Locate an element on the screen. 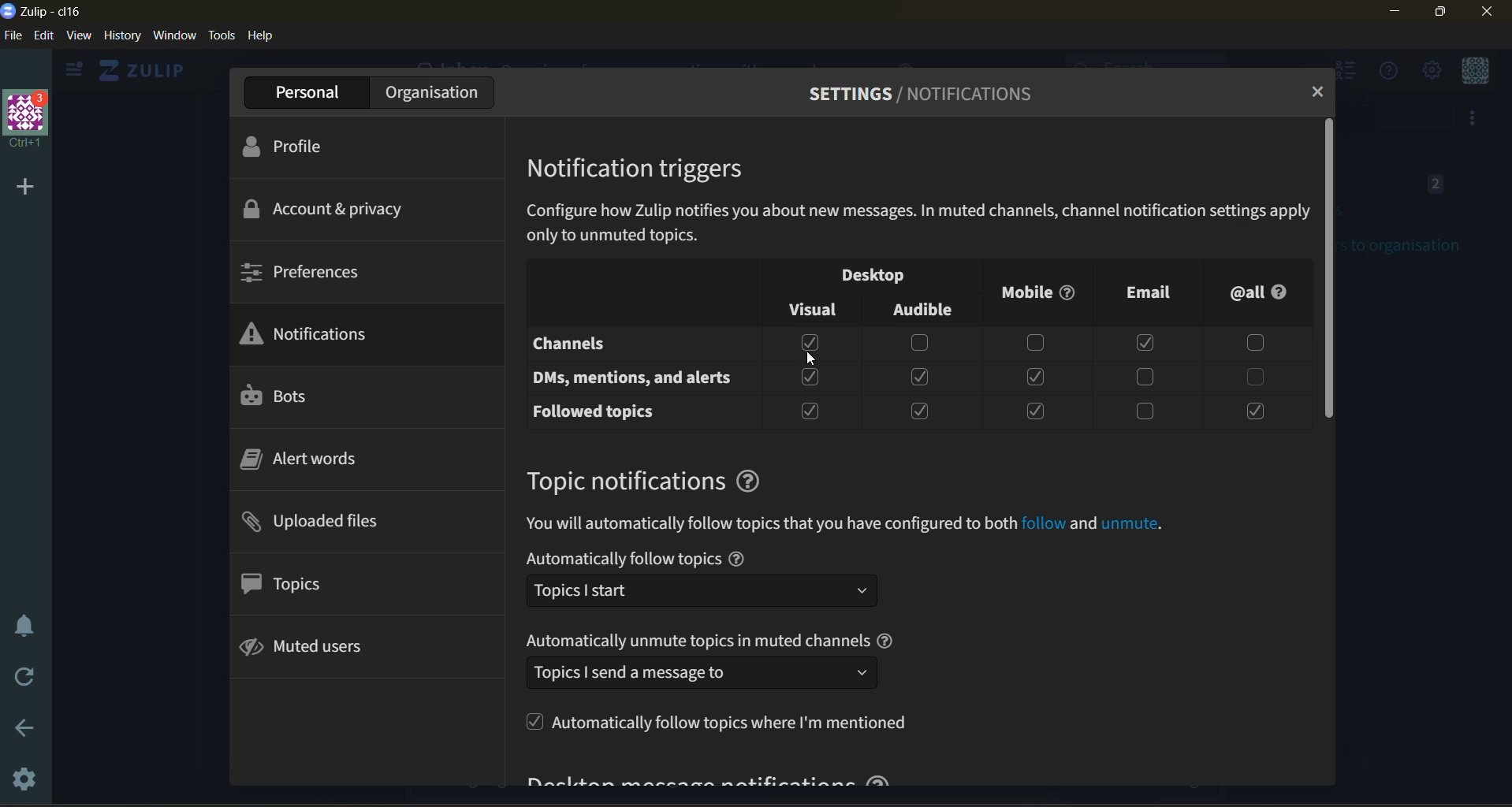 This screenshot has height=807, width=1512. go back is located at coordinates (19, 731).